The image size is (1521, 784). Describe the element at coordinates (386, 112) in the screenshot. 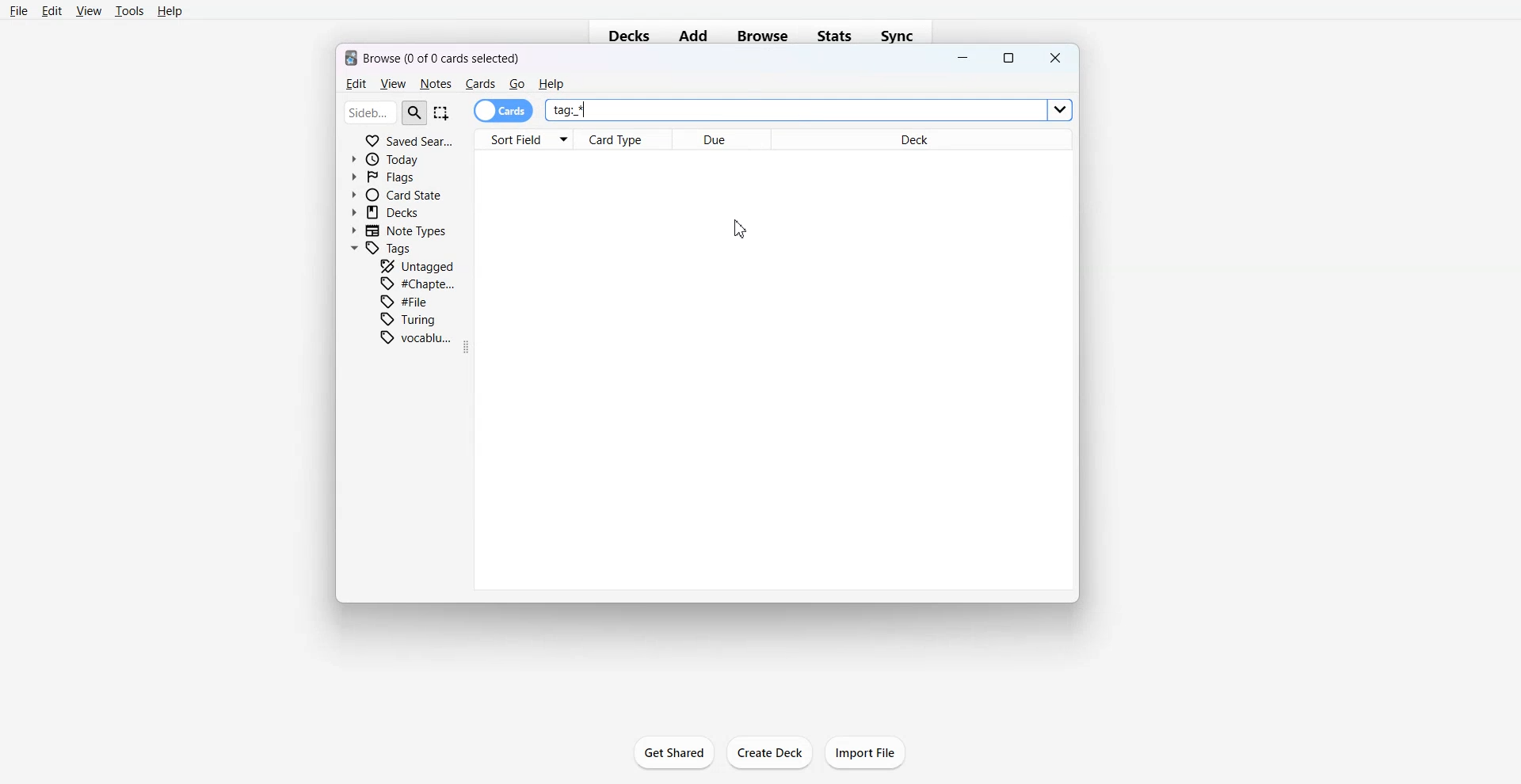

I see `Search Bar` at that location.